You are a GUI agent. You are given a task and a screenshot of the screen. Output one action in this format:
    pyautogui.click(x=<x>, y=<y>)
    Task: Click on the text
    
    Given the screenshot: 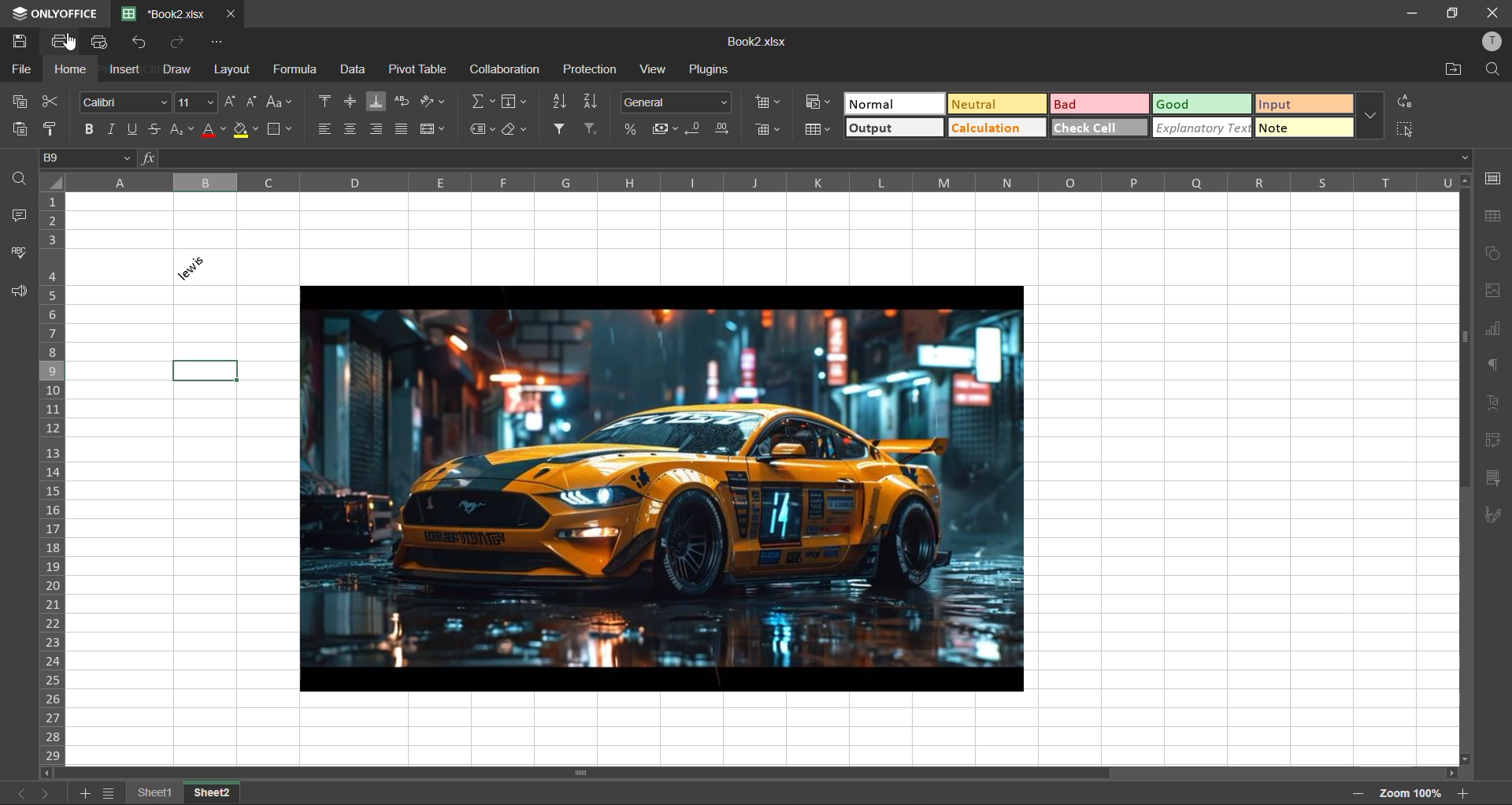 What is the action you would take?
    pyautogui.click(x=1493, y=403)
    